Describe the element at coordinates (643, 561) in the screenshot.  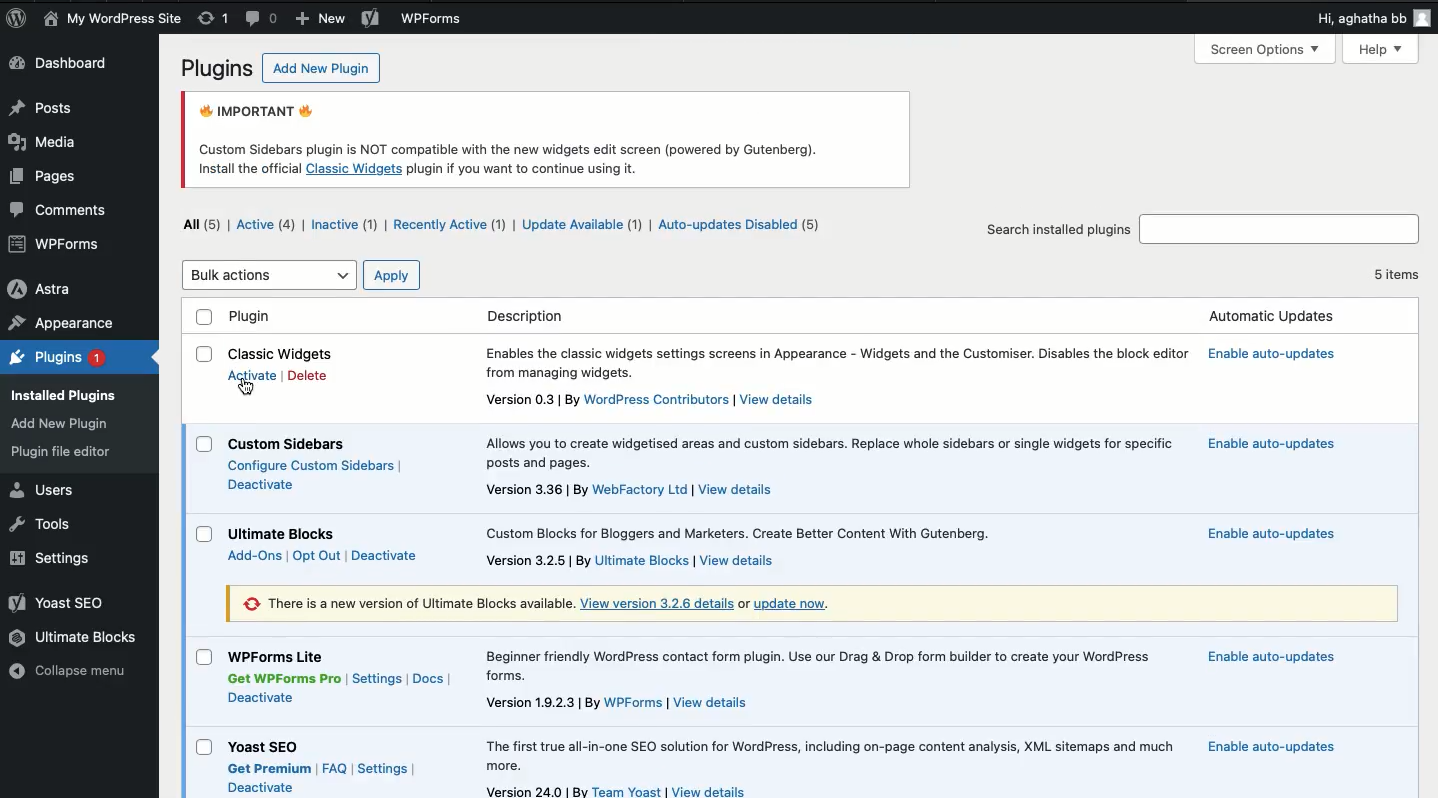
I see `ultimate` at that location.